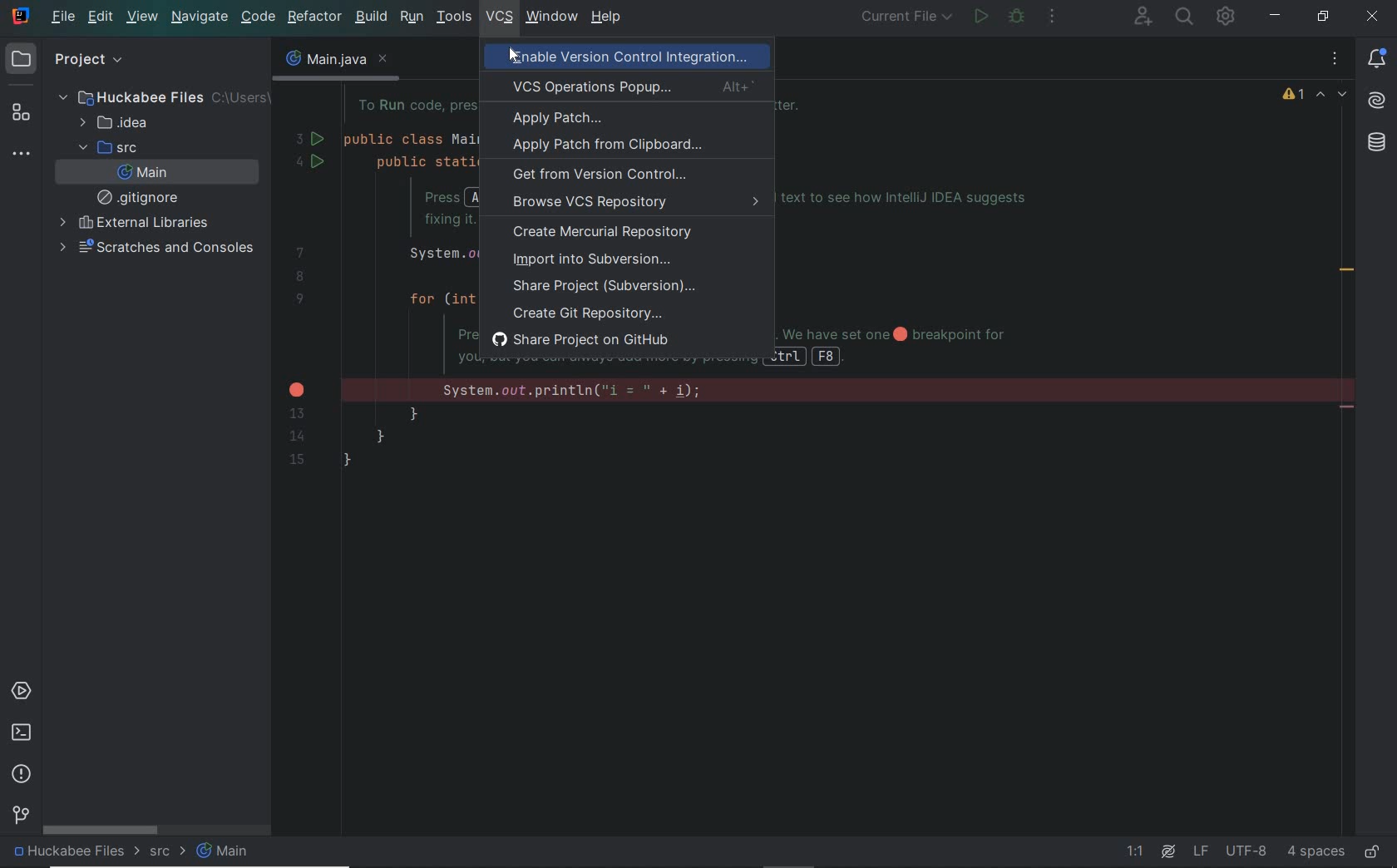 This screenshot has width=1397, height=868. Describe the element at coordinates (1374, 17) in the screenshot. I see `CLOSE` at that location.